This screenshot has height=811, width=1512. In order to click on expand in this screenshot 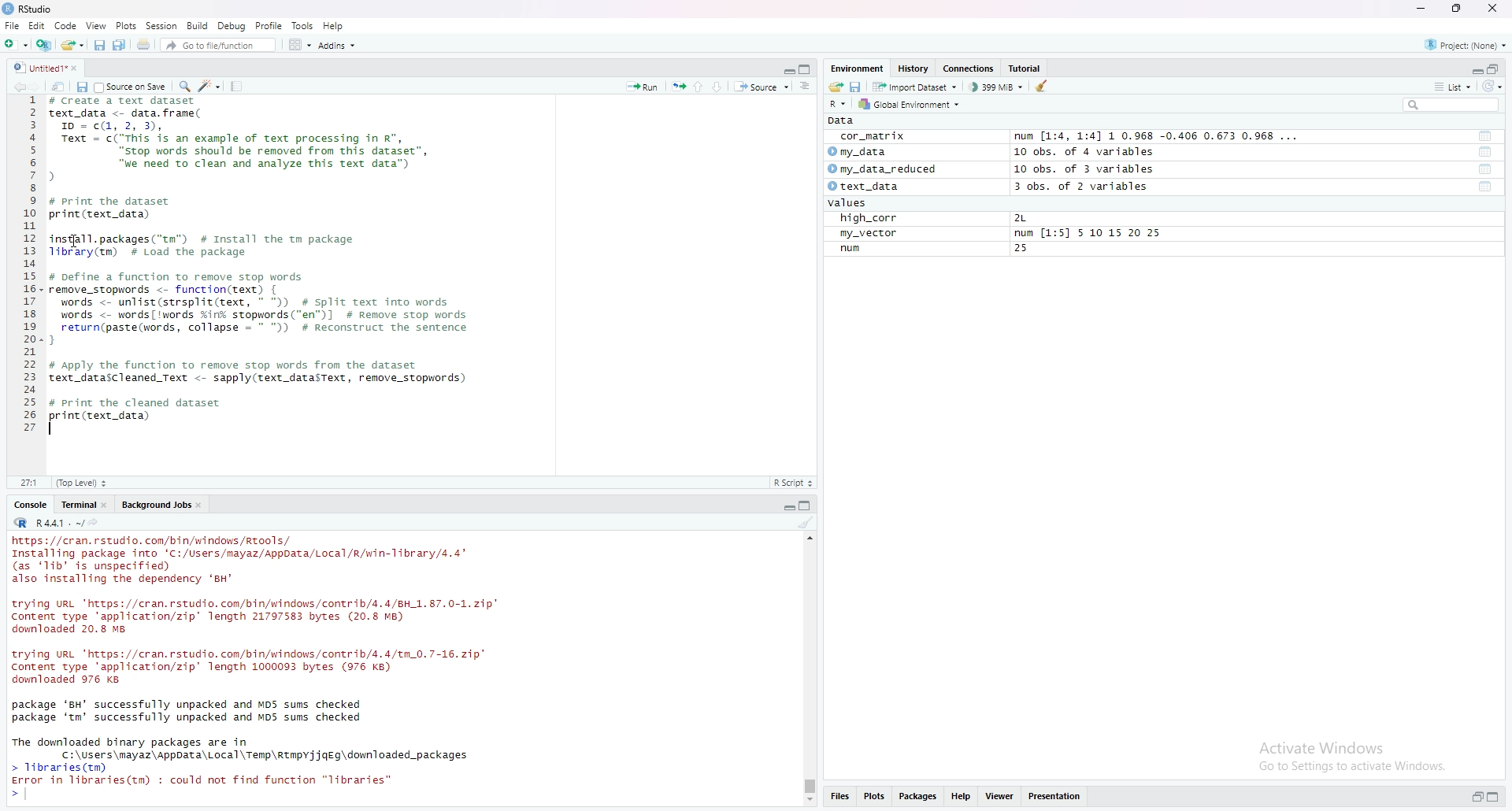, I will do `click(1475, 69)`.